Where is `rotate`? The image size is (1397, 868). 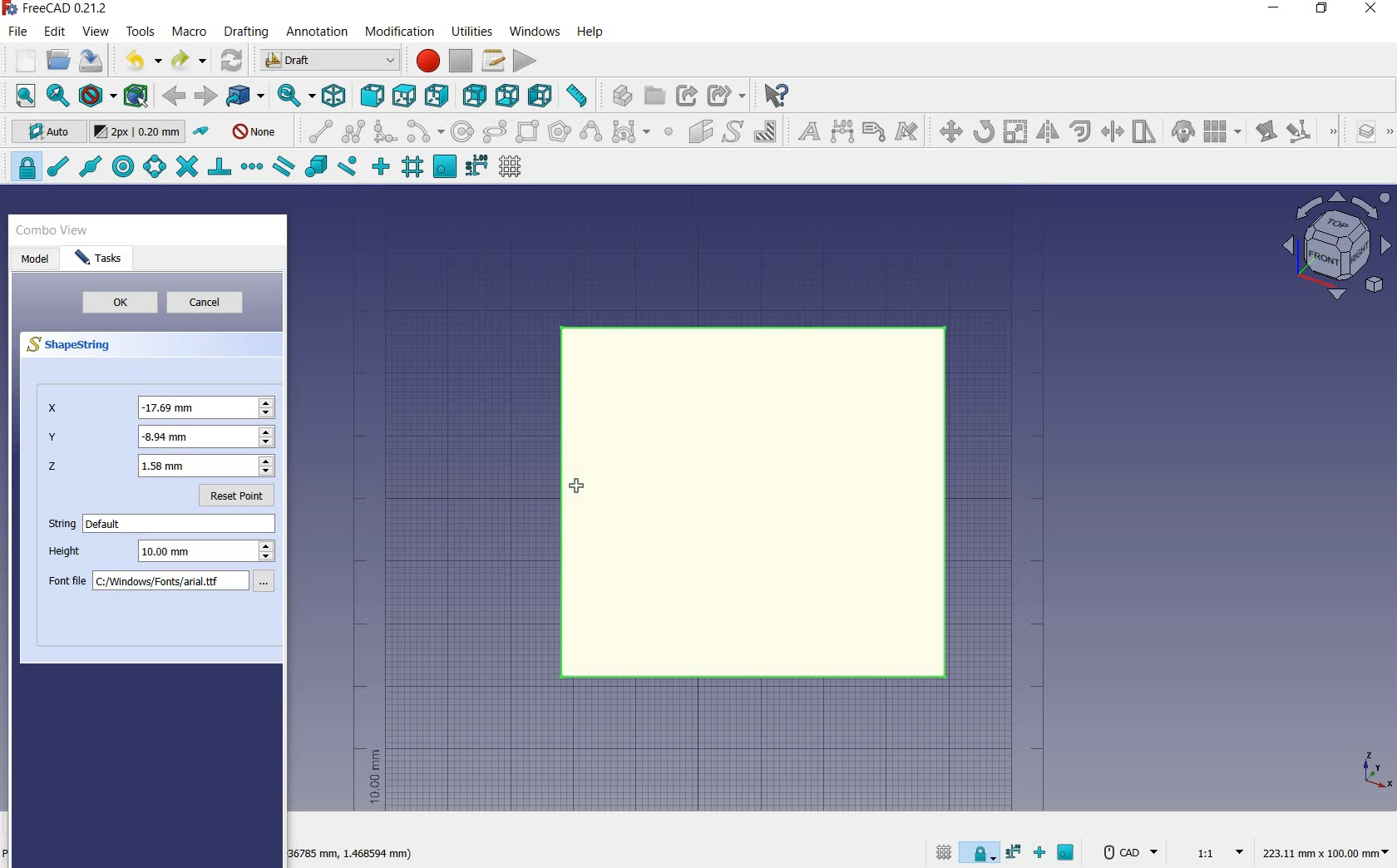
rotate is located at coordinates (984, 131).